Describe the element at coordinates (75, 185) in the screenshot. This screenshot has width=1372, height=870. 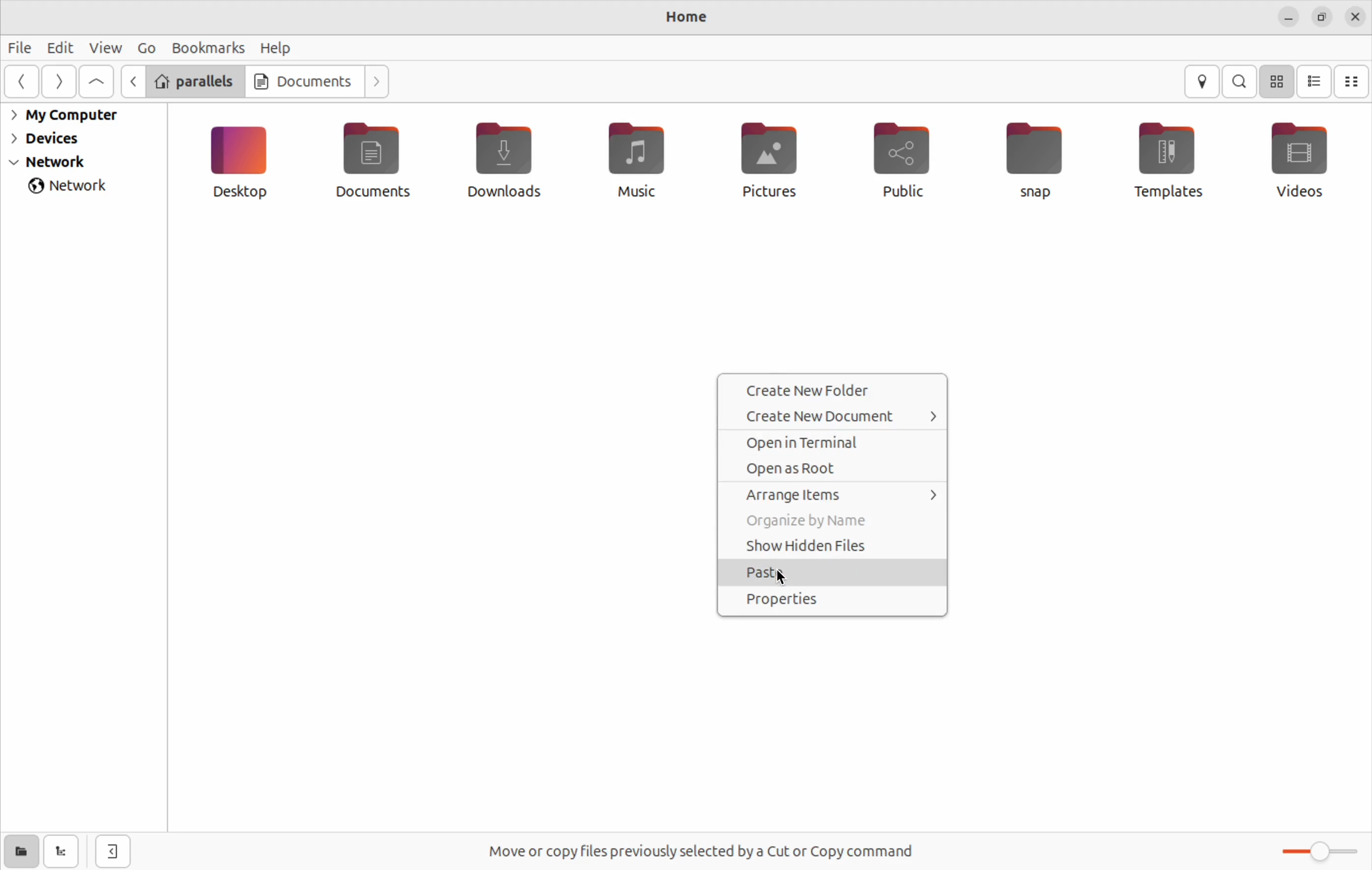
I see `network` at that location.